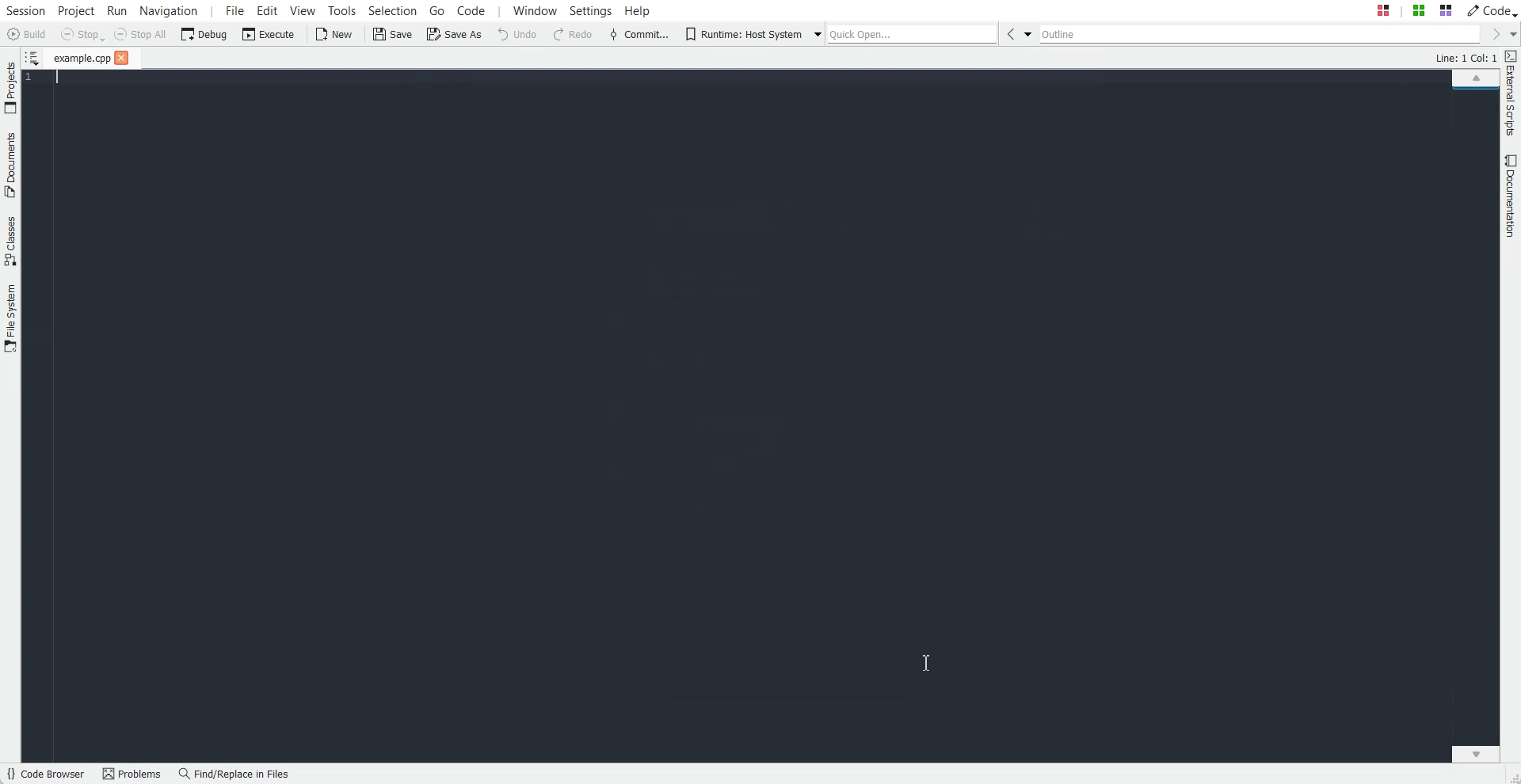  Describe the element at coordinates (912, 34) in the screenshot. I see `Quick Open` at that location.